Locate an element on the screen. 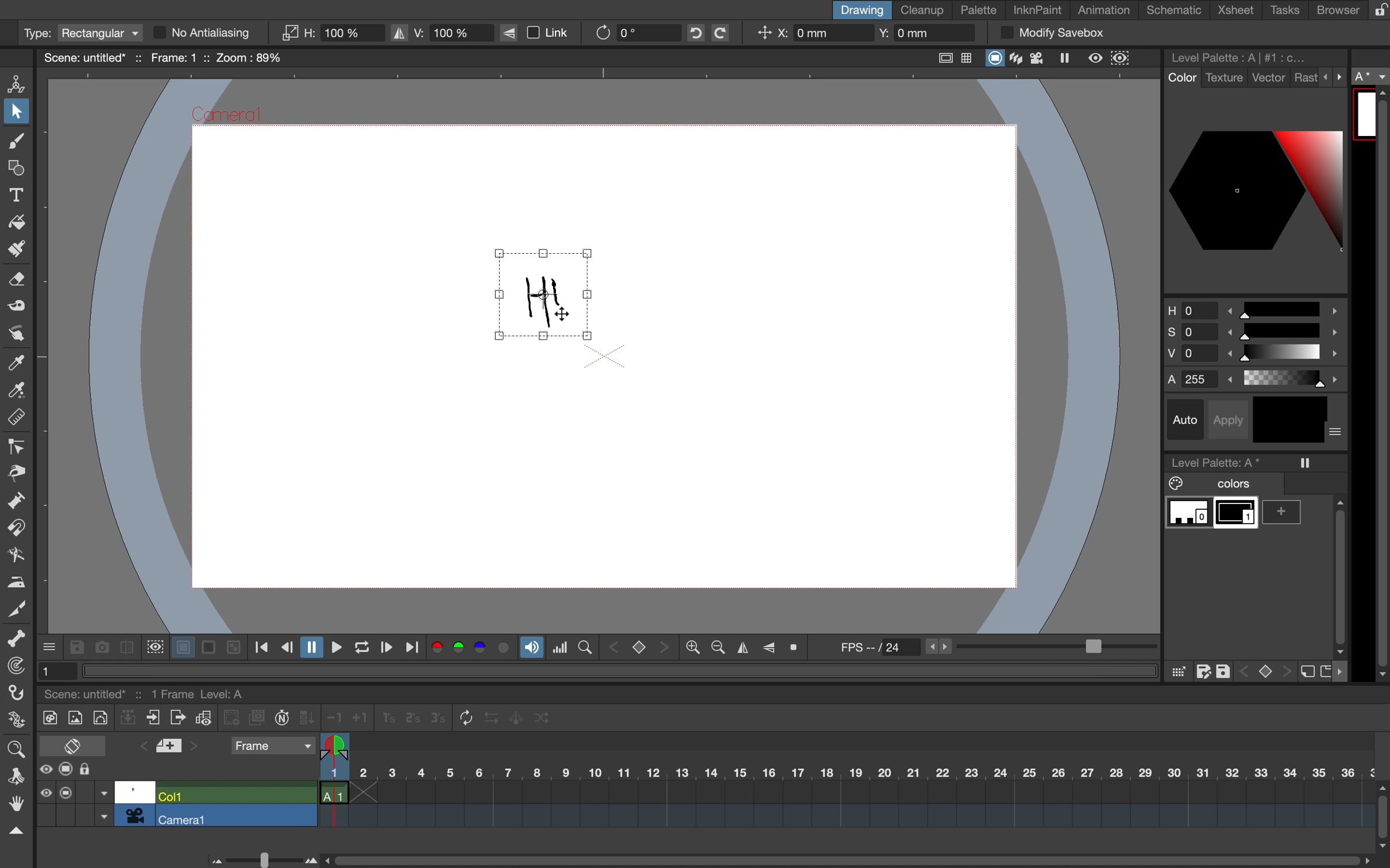 This screenshot has height=868, width=1390. sidebar vertical scroll bar is located at coordinates (1380, 385).